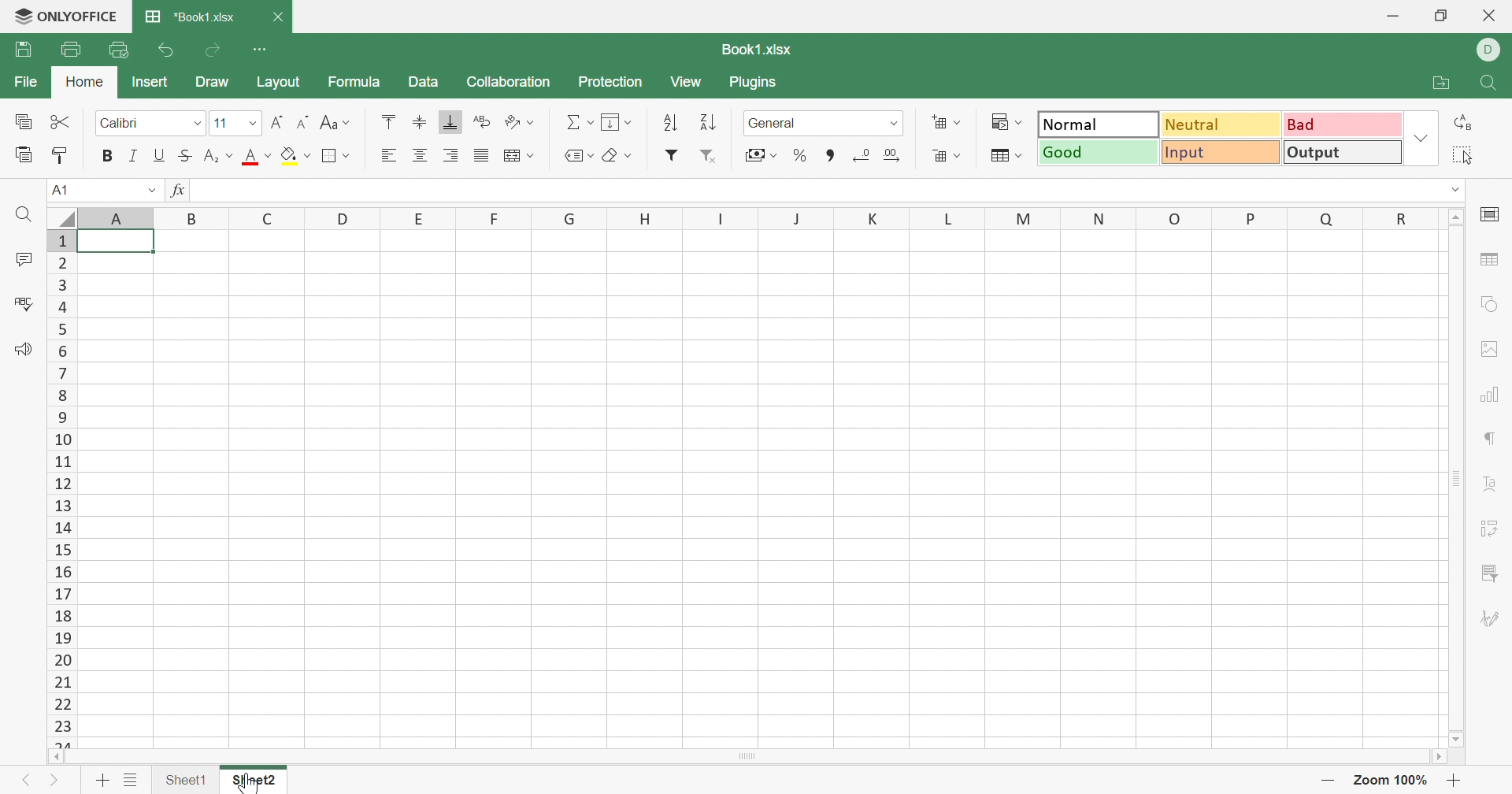 The height and width of the screenshot is (794, 1512). What do you see at coordinates (591, 123) in the screenshot?
I see `Drop Down` at bounding box center [591, 123].